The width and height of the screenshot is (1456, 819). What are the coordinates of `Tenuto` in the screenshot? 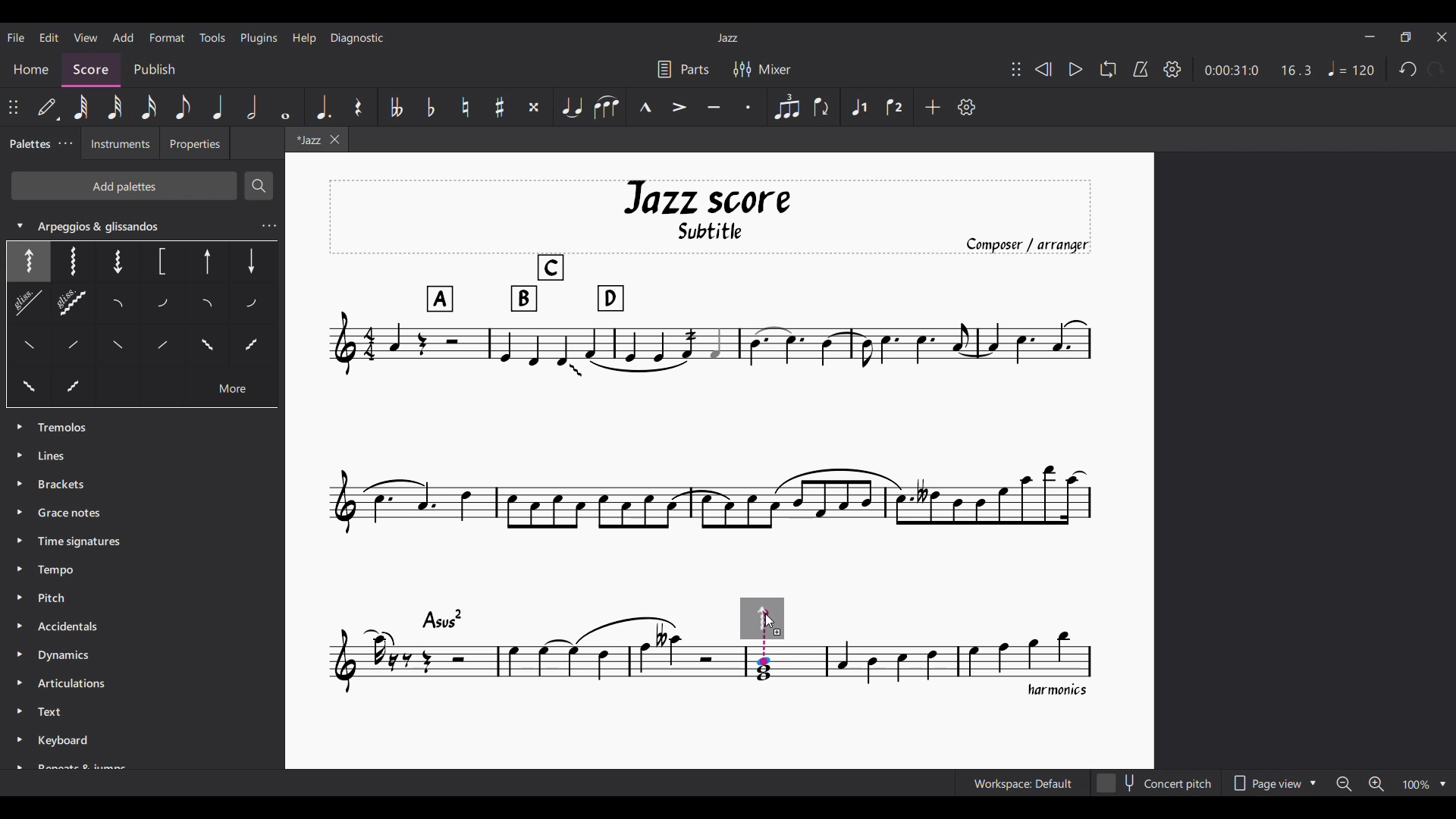 It's located at (714, 107).